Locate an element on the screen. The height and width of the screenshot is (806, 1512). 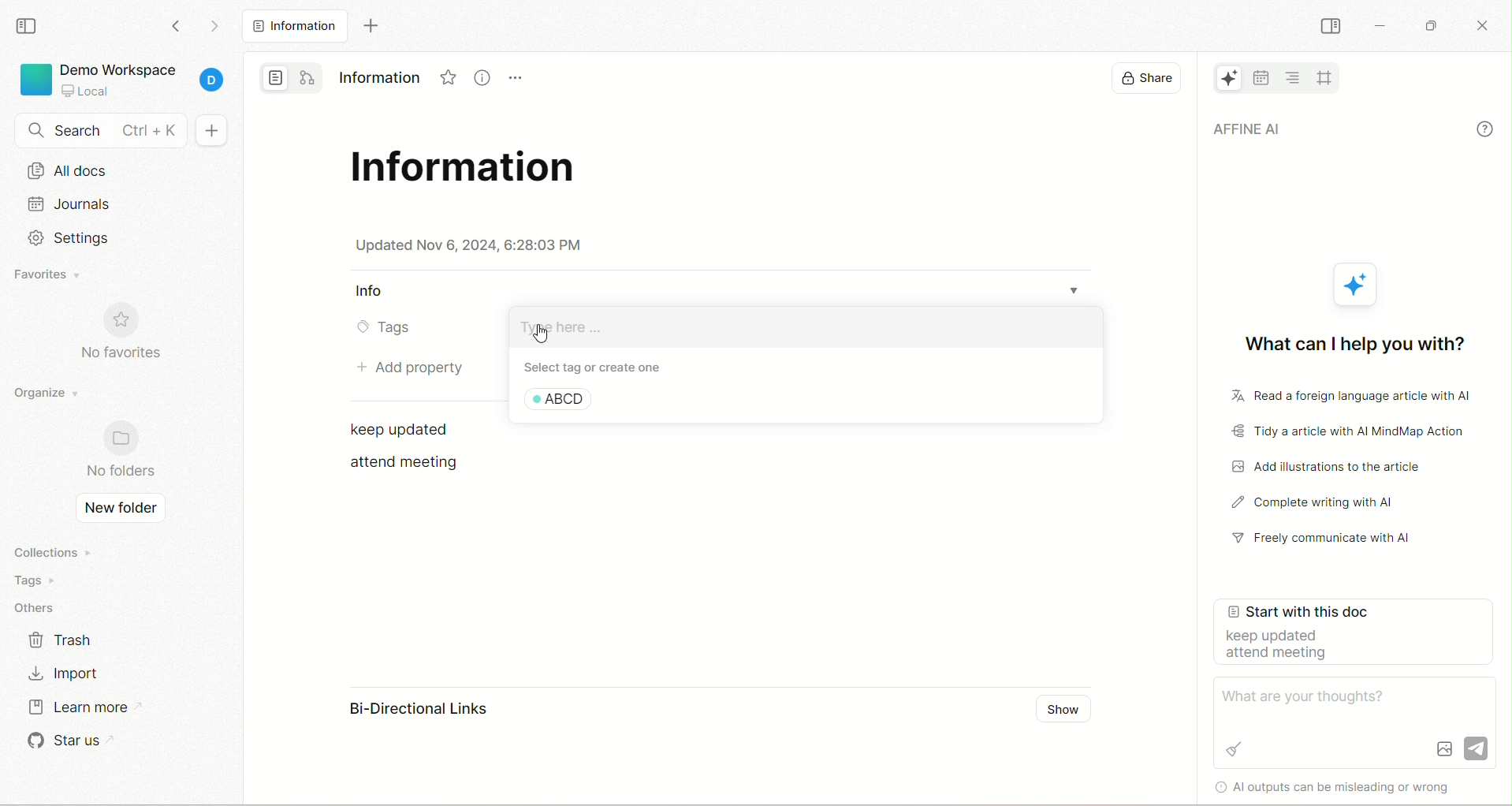
journal is located at coordinates (122, 208).